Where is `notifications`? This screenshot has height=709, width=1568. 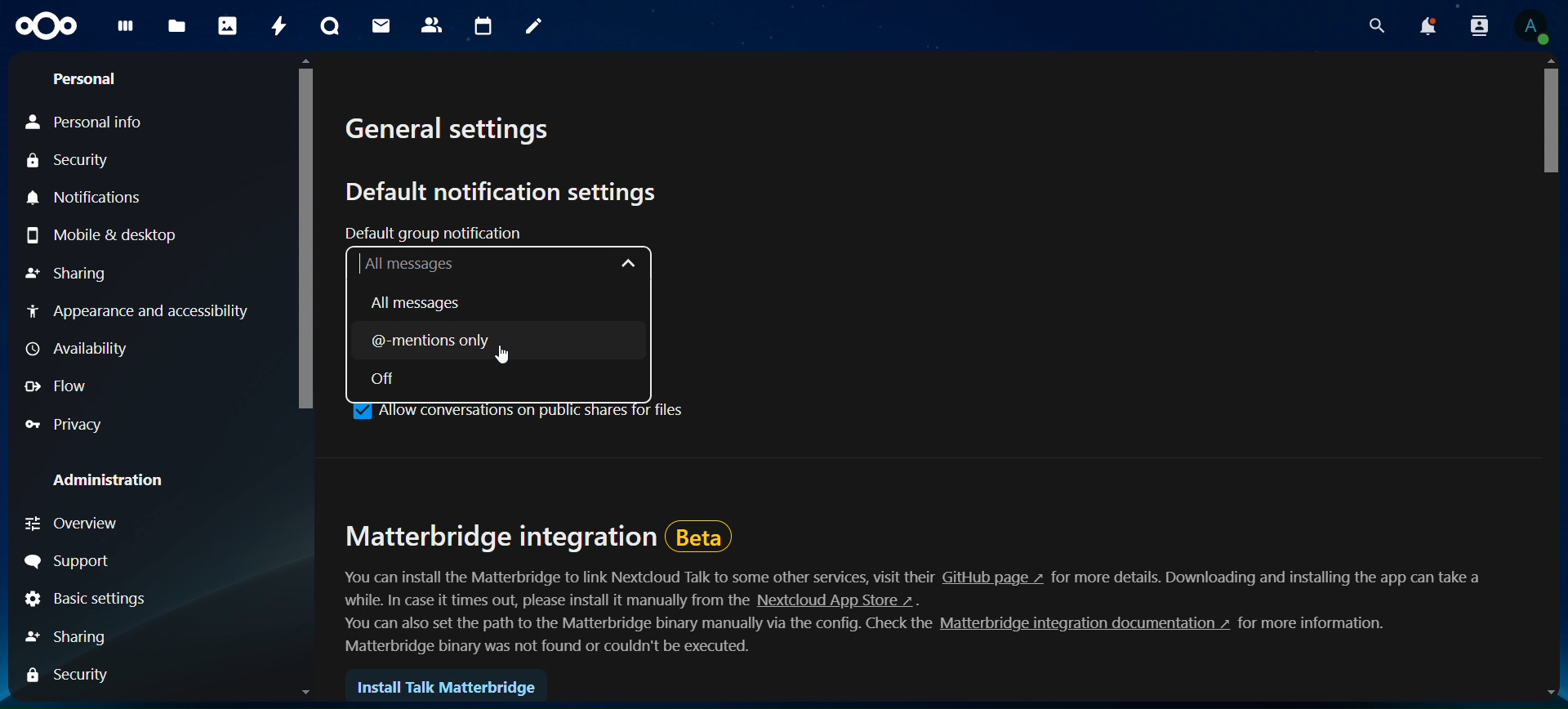
notifications is located at coordinates (1420, 25).